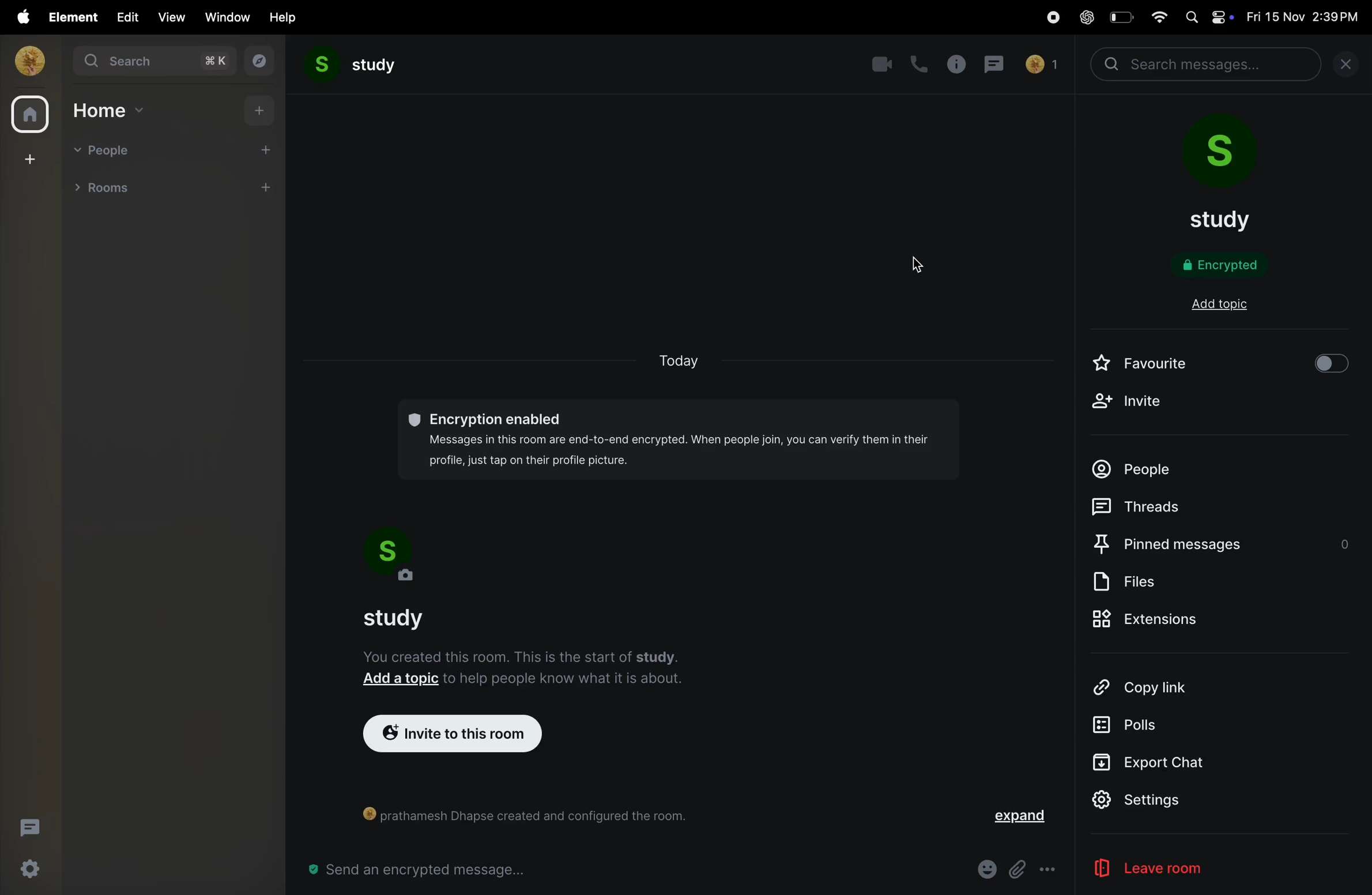 The image size is (1372, 895). Describe the element at coordinates (1020, 818) in the screenshot. I see `expand` at that location.